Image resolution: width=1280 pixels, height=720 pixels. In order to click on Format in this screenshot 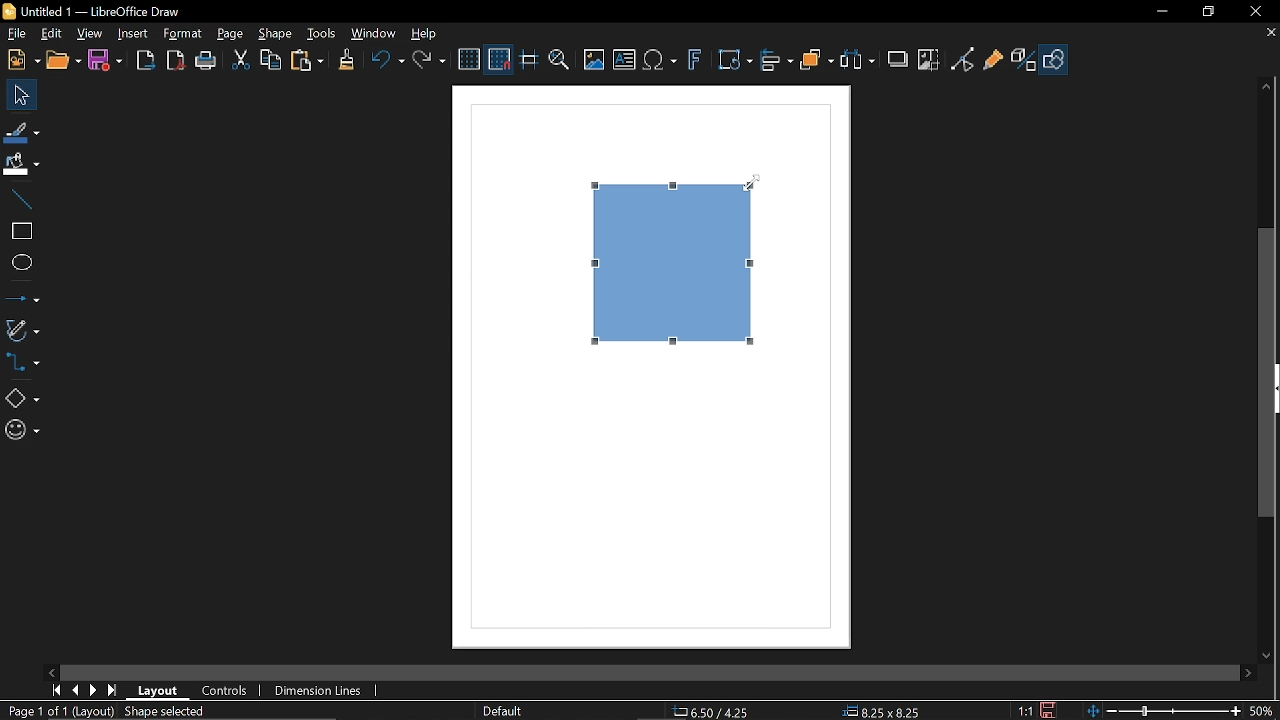, I will do `click(182, 33)`.